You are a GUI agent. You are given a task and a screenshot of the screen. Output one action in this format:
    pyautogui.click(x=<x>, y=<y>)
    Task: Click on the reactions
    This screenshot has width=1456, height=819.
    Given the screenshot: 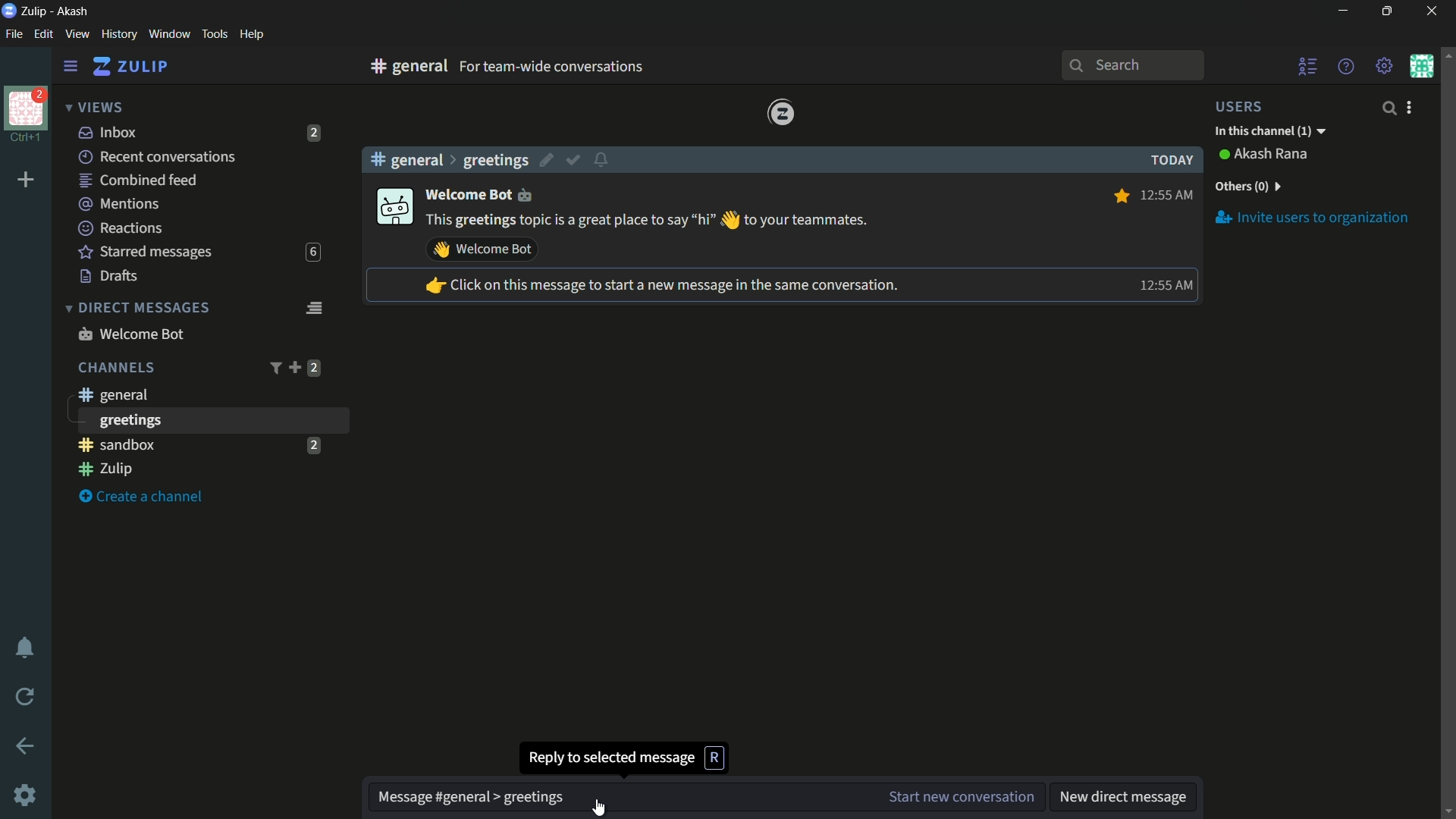 What is the action you would take?
    pyautogui.click(x=120, y=227)
    